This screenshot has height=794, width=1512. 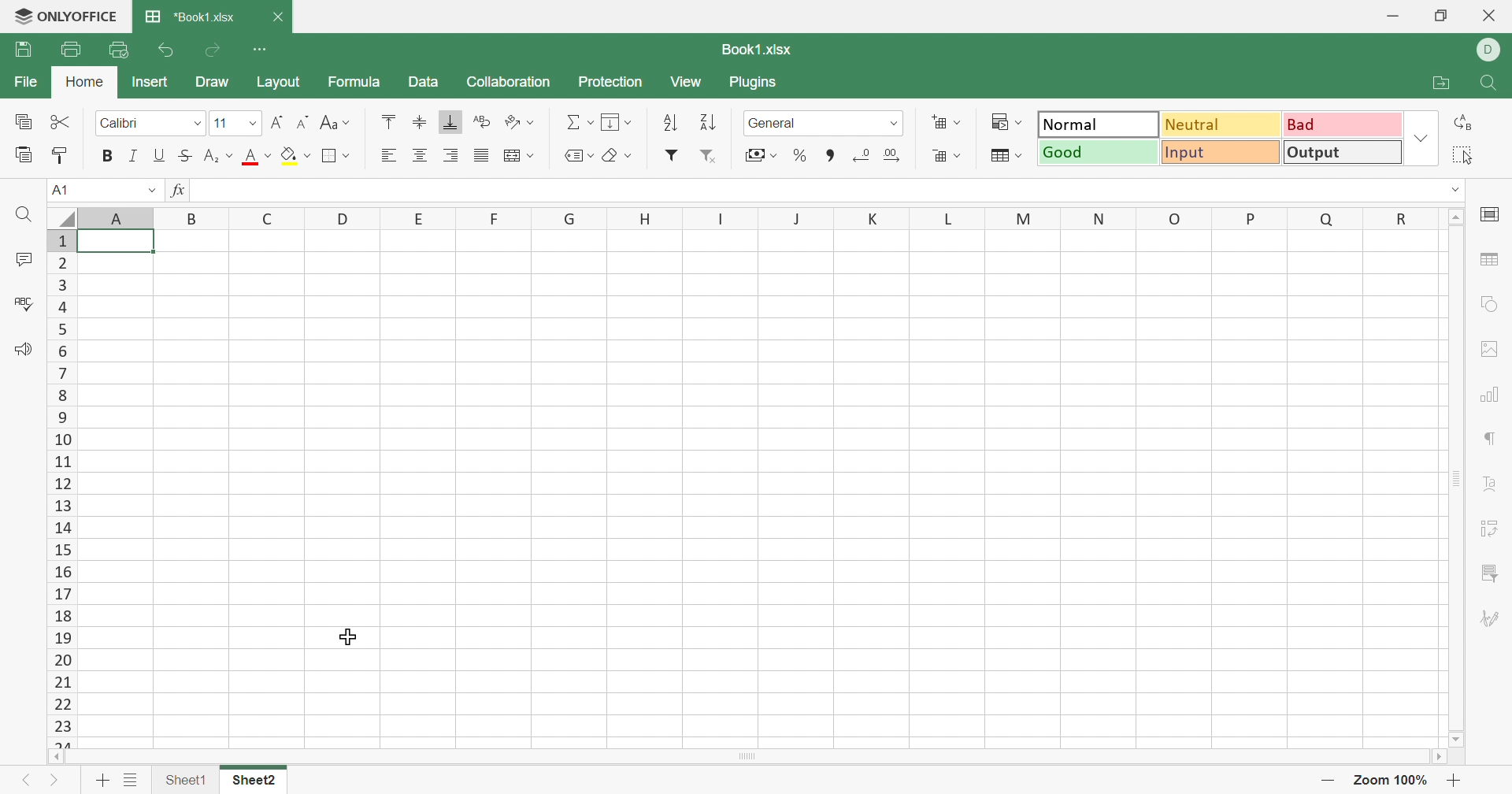 I want to click on Image settings, so click(x=1492, y=347).